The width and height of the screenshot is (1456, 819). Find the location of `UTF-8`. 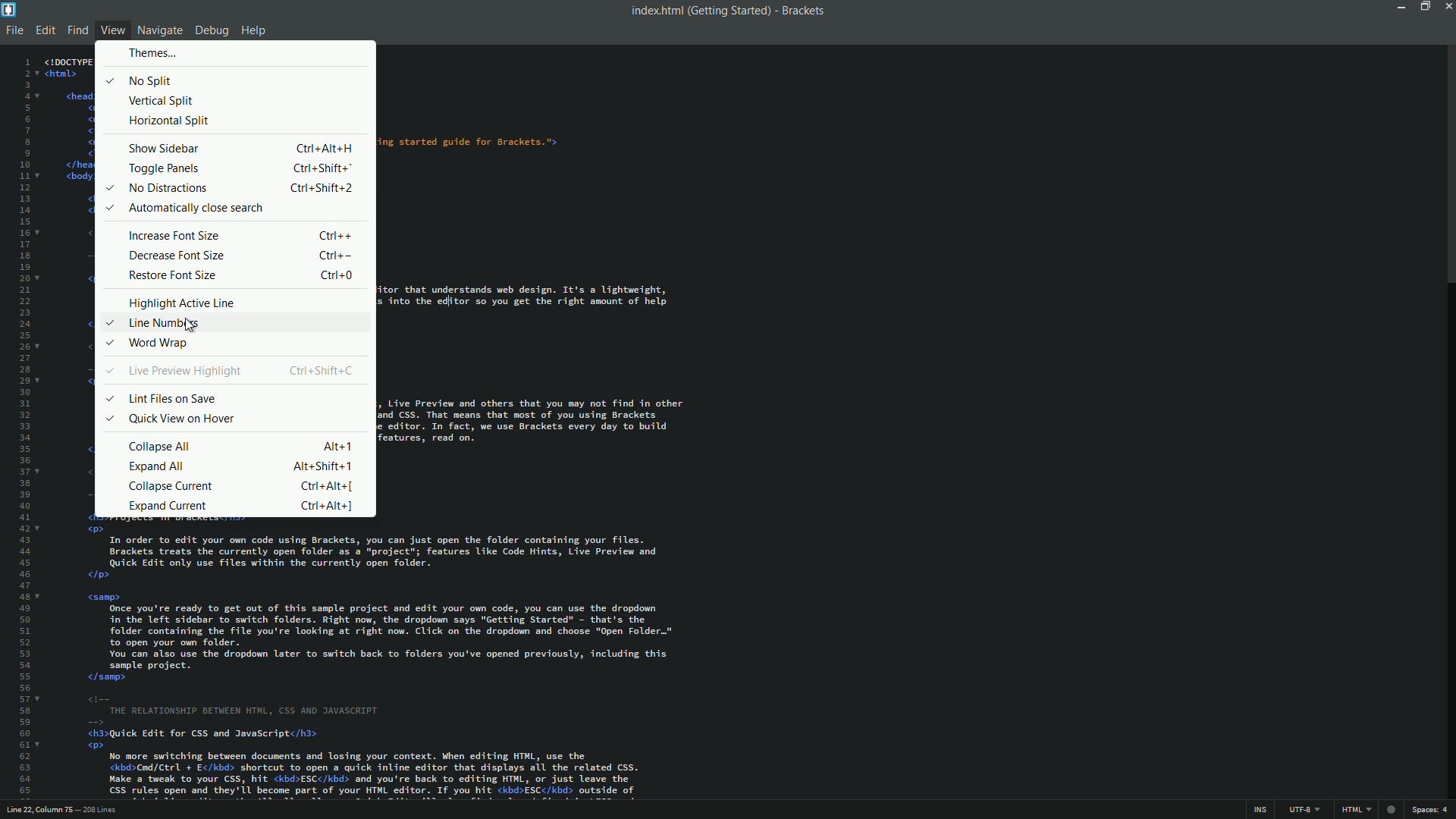

UTF-8 is located at coordinates (1302, 810).